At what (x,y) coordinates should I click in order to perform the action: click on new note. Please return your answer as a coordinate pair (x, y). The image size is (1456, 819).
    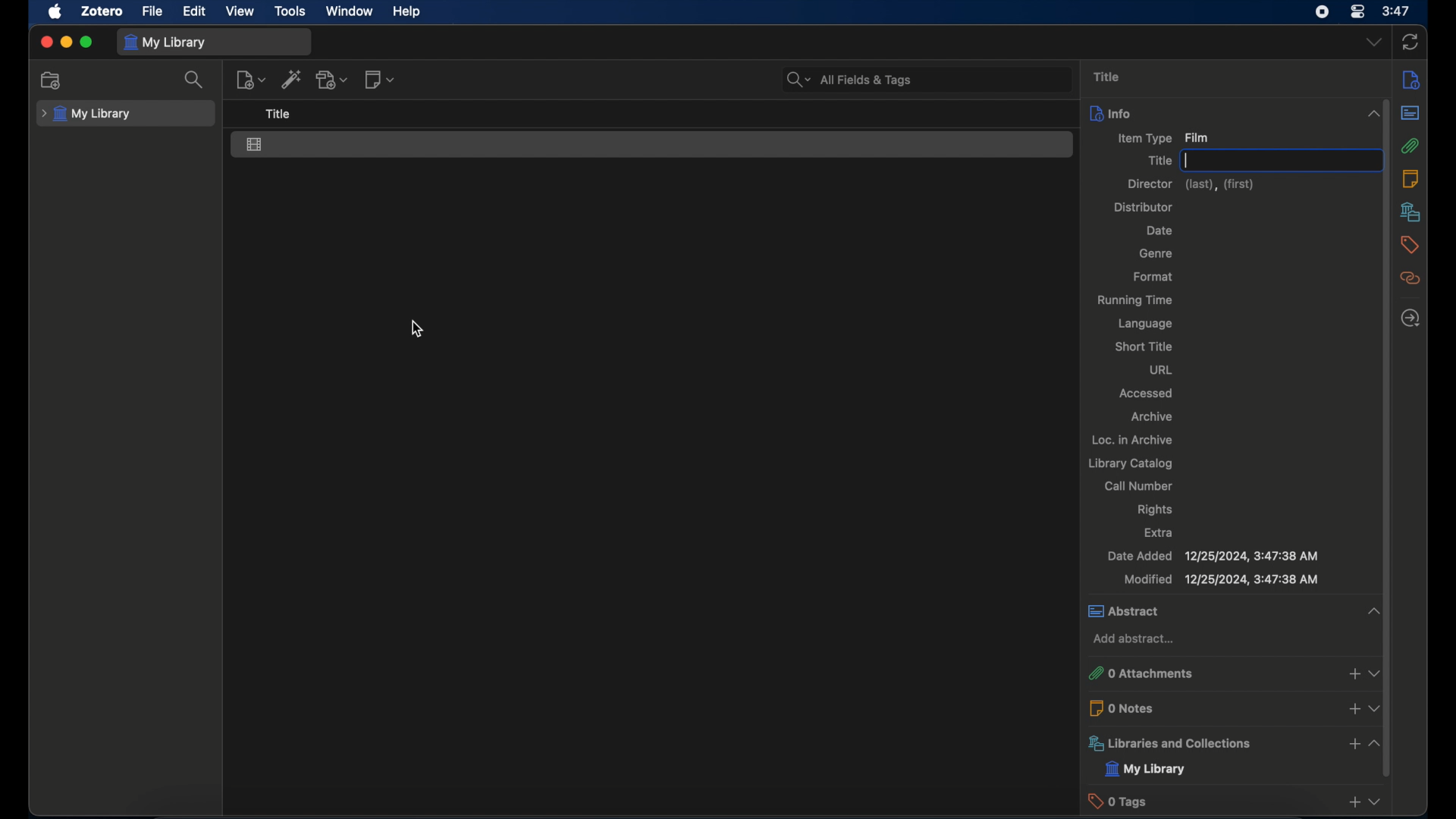
    Looking at the image, I should click on (381, 80).